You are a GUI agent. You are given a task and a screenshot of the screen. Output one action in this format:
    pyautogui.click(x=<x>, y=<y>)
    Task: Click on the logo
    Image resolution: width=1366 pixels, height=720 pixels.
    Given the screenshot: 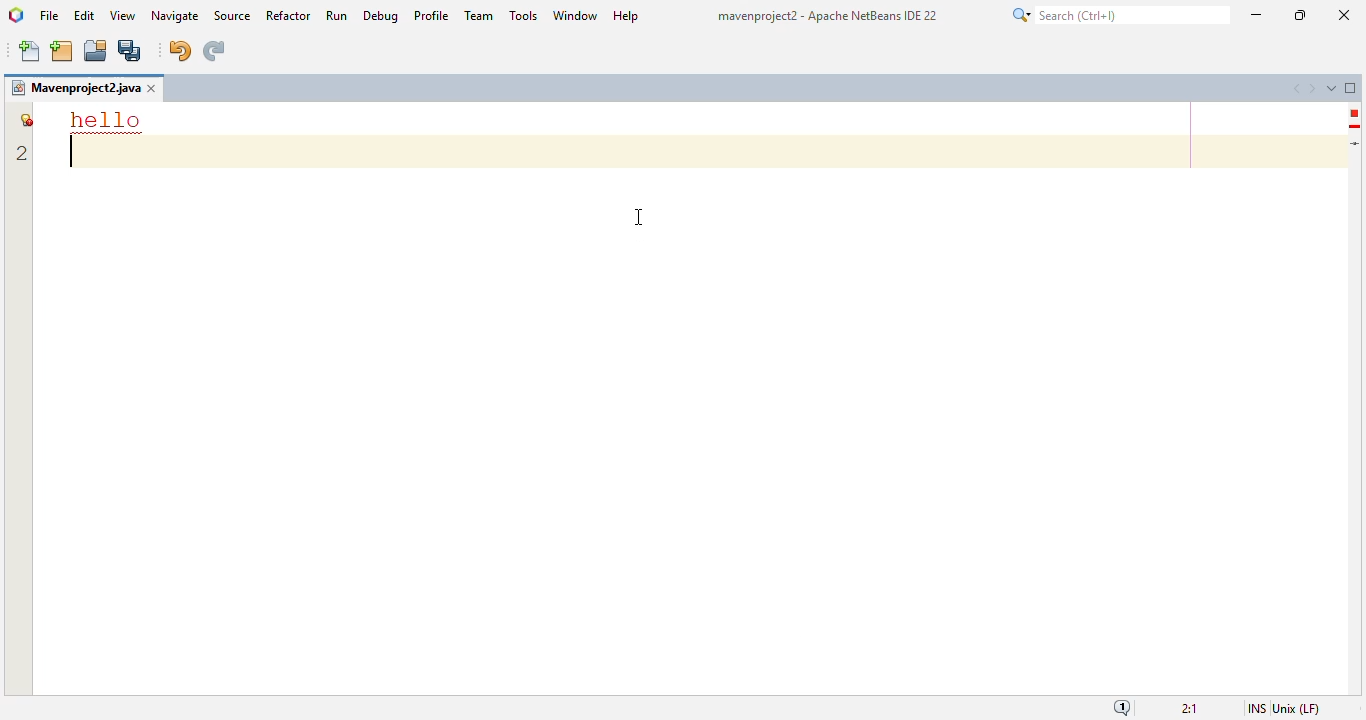 What is the action you would take?
    pyautogui.click(x=17, y=15)
    